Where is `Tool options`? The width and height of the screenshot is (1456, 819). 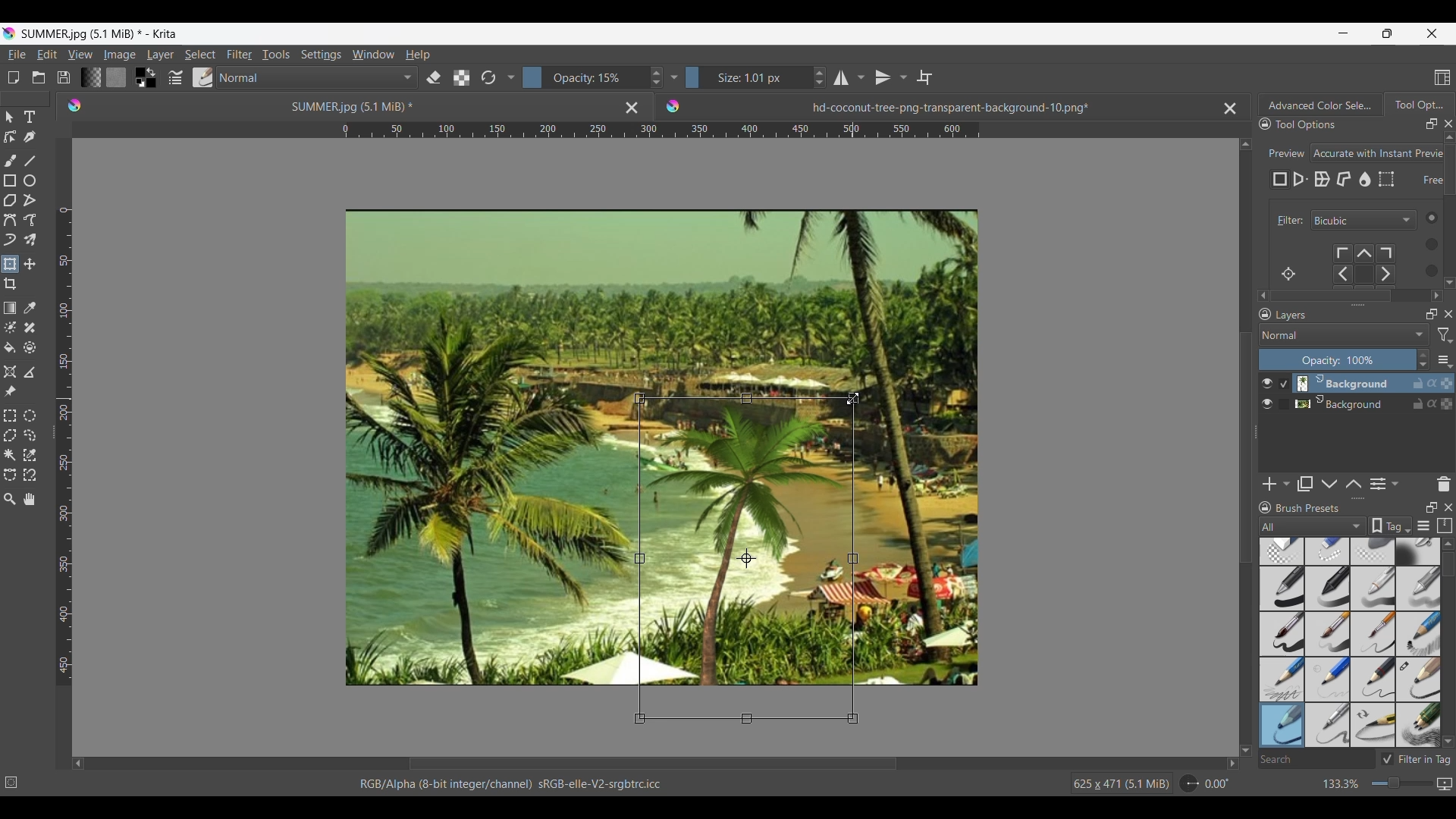
Tool options is located at coordinates (1321, 124).